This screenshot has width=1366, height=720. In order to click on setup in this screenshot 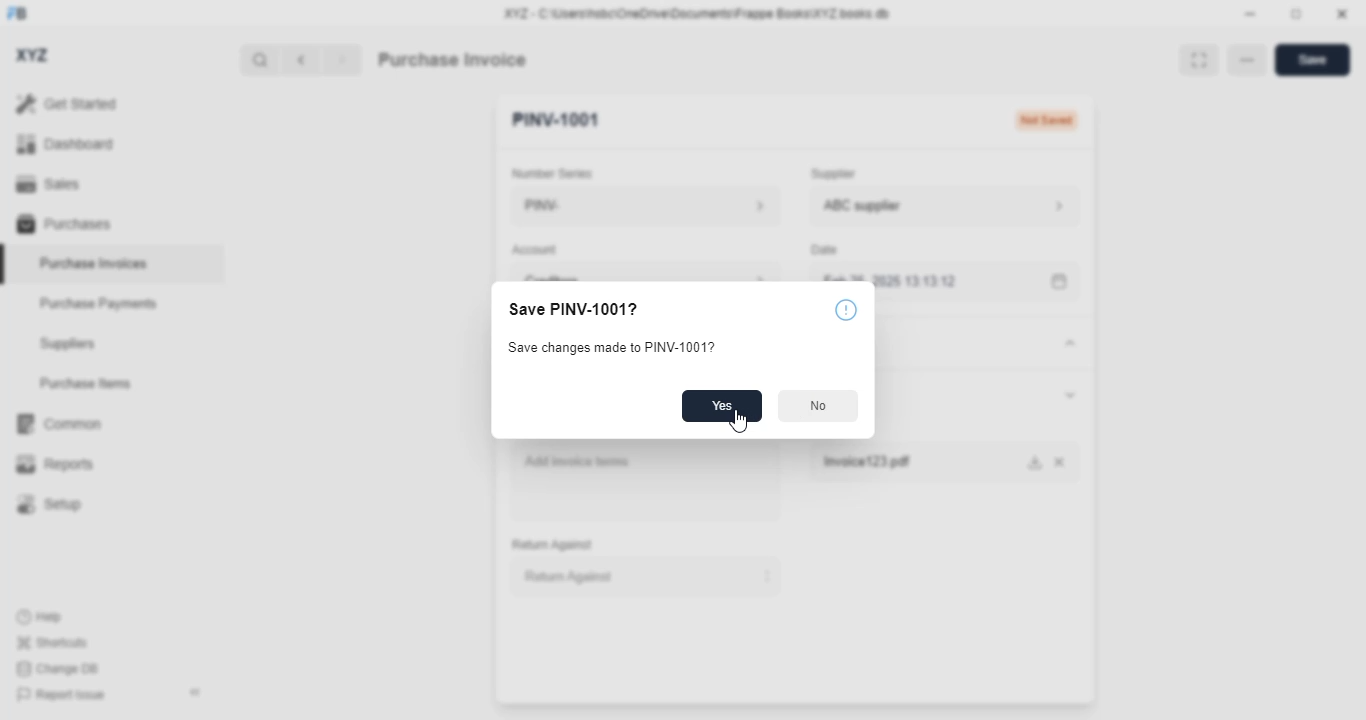, I will do `click(47, 505)`.